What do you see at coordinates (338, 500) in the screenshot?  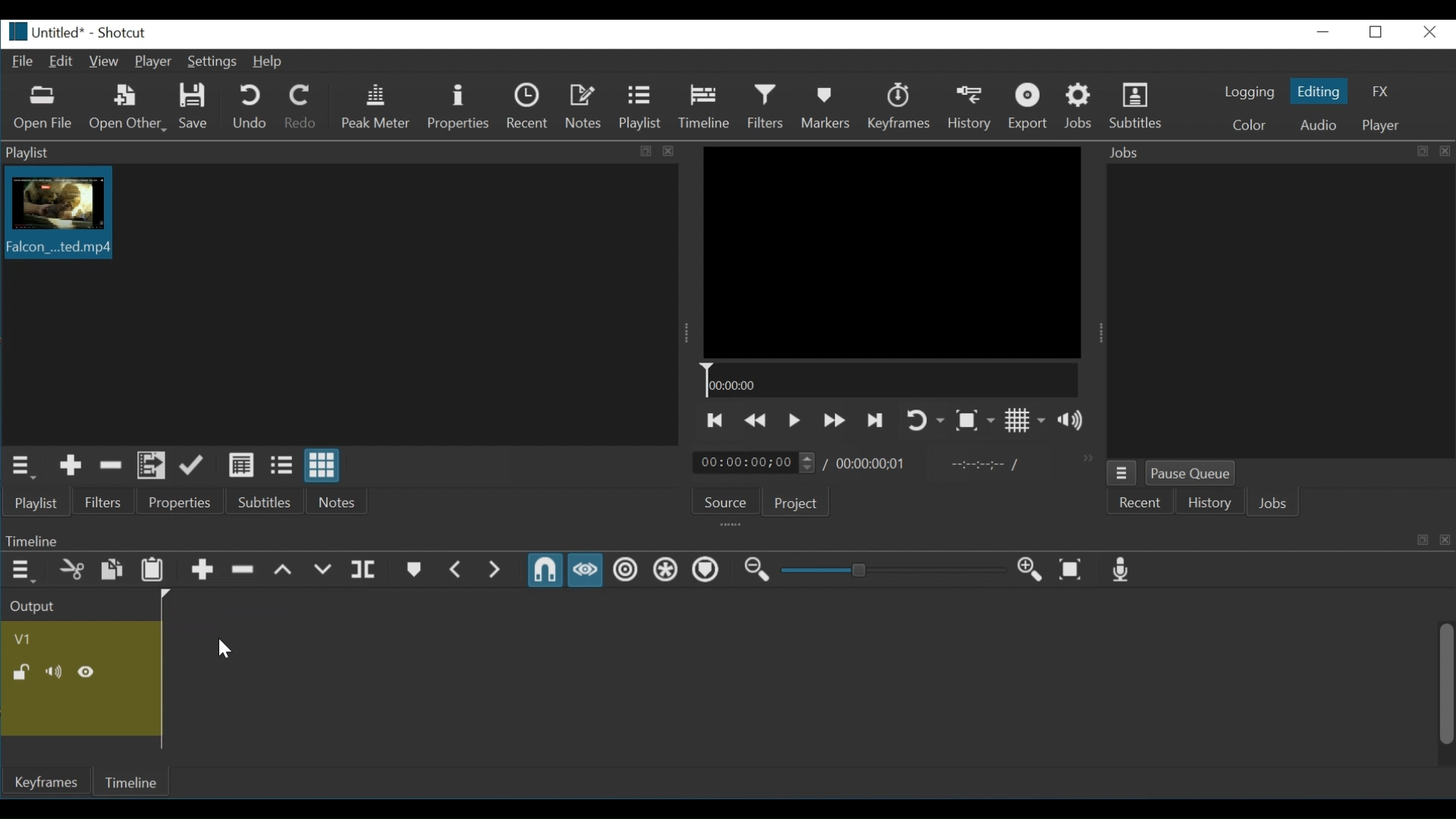 I see `Notes` at bounding box center [338, 500].